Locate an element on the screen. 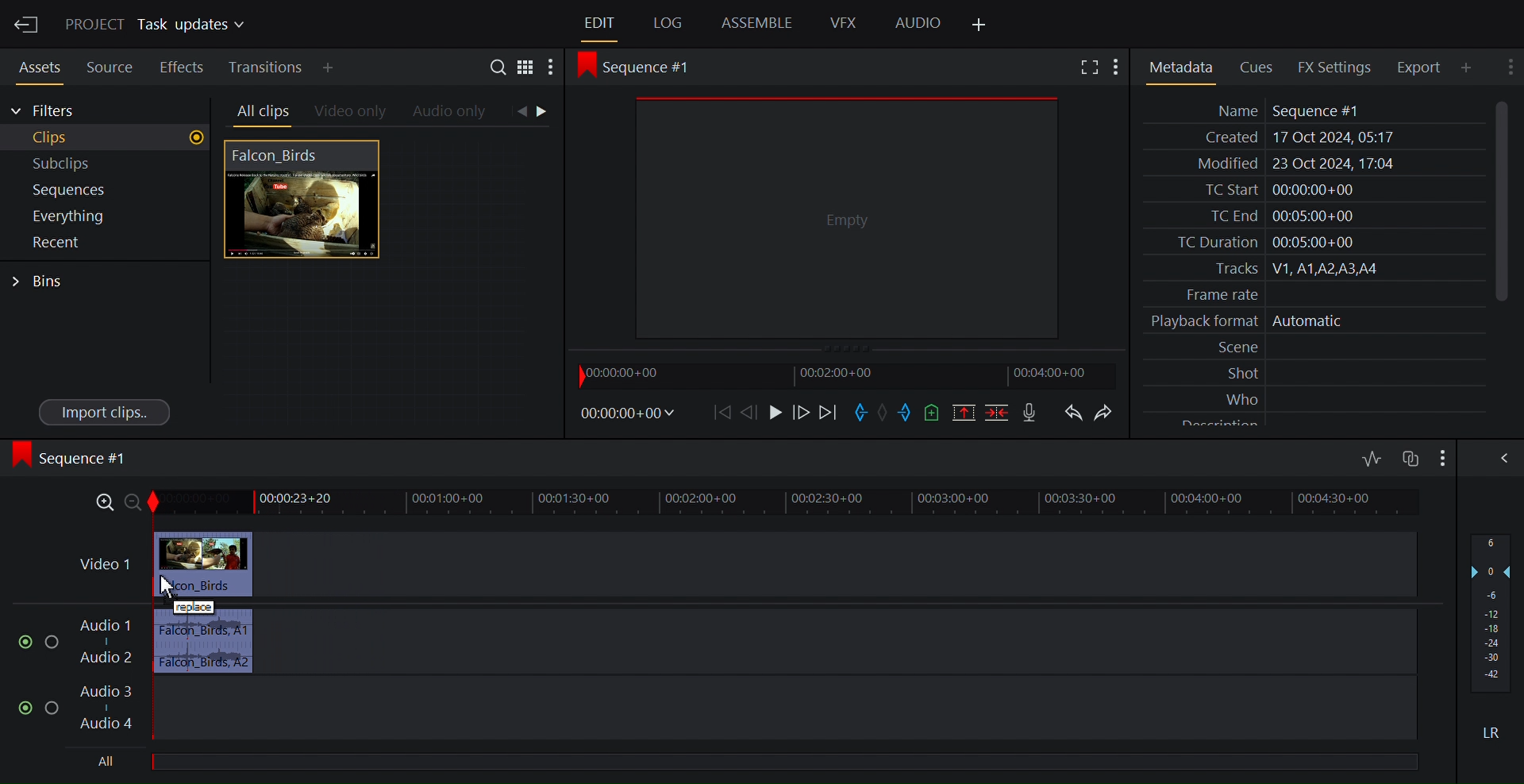 This screenshot has width=1524, height=784. (un)mute is located at coordinates (27, 708).